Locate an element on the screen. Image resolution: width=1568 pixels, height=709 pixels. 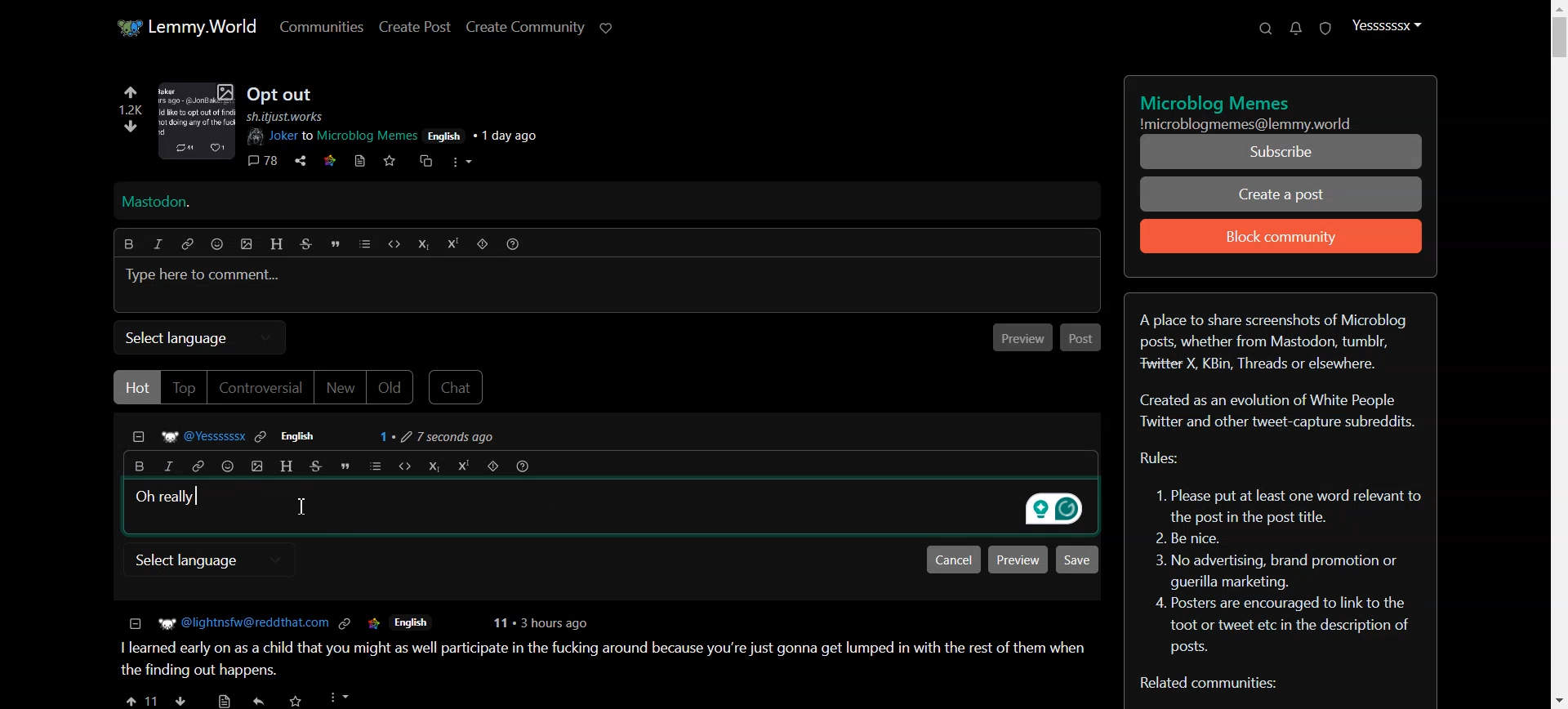
Spoiler is located at coordinates (483, 244).